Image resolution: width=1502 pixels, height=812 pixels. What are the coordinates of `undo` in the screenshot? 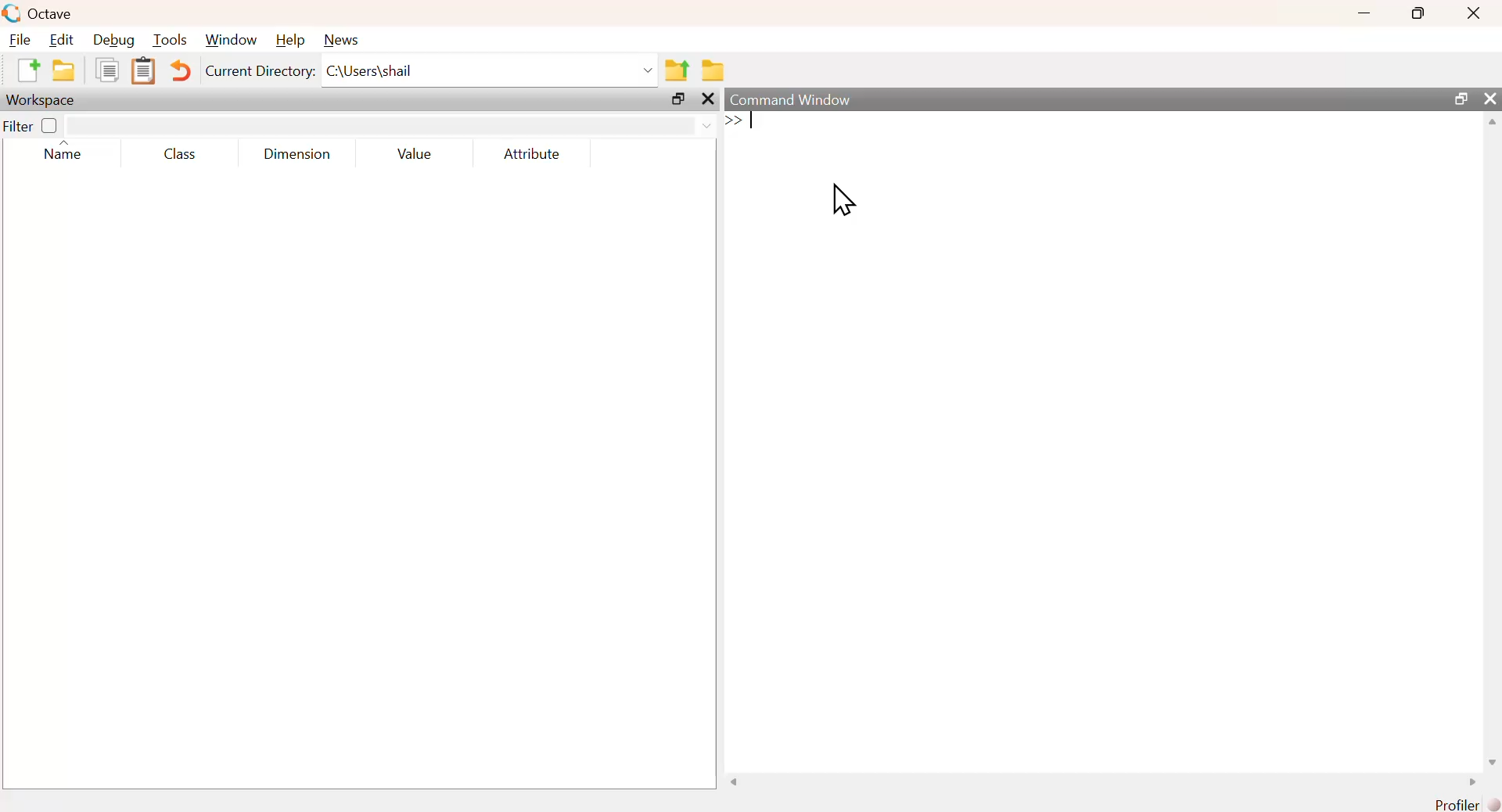 It's located at (182, 70).